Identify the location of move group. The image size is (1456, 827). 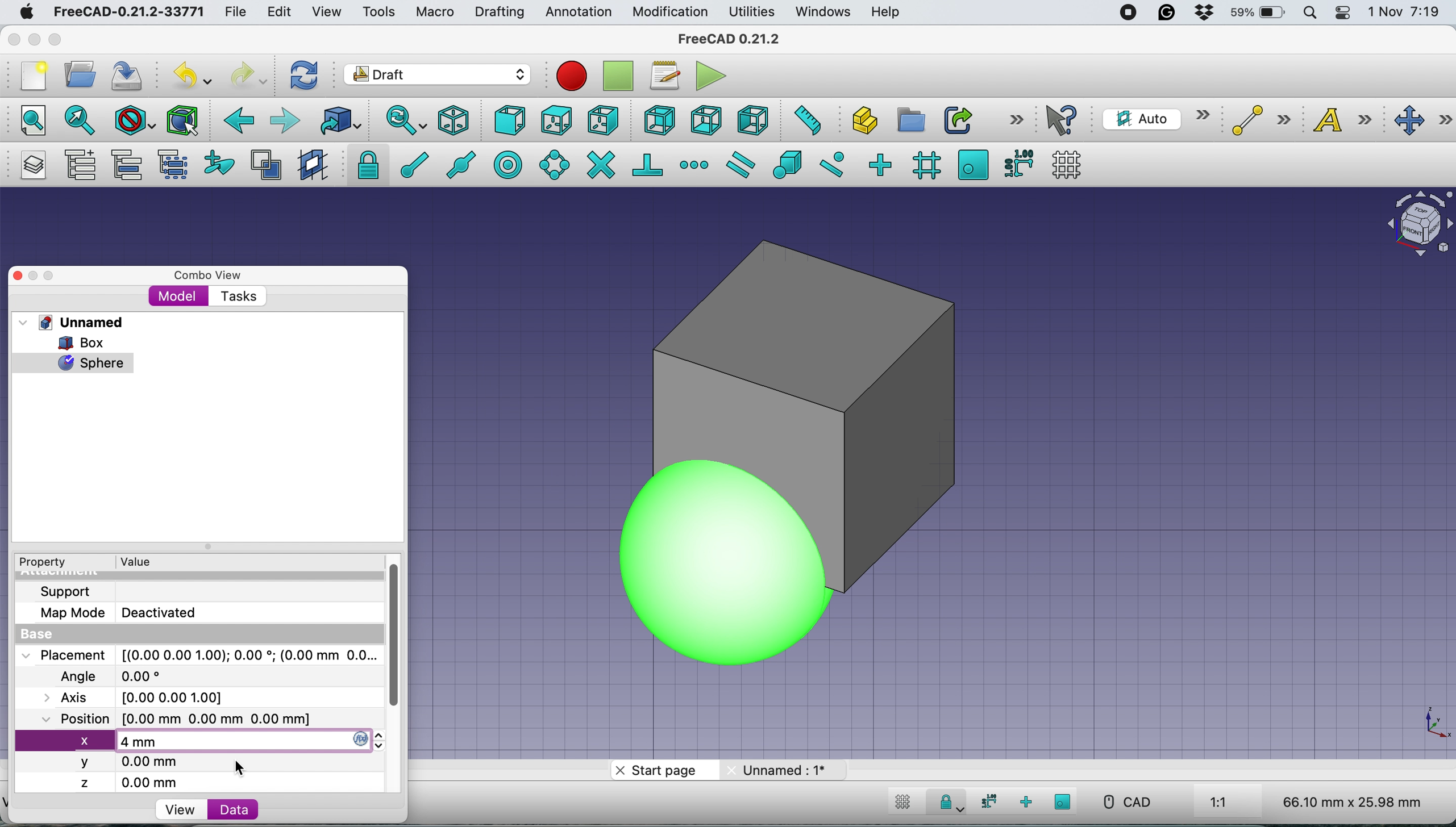
(130, 165).